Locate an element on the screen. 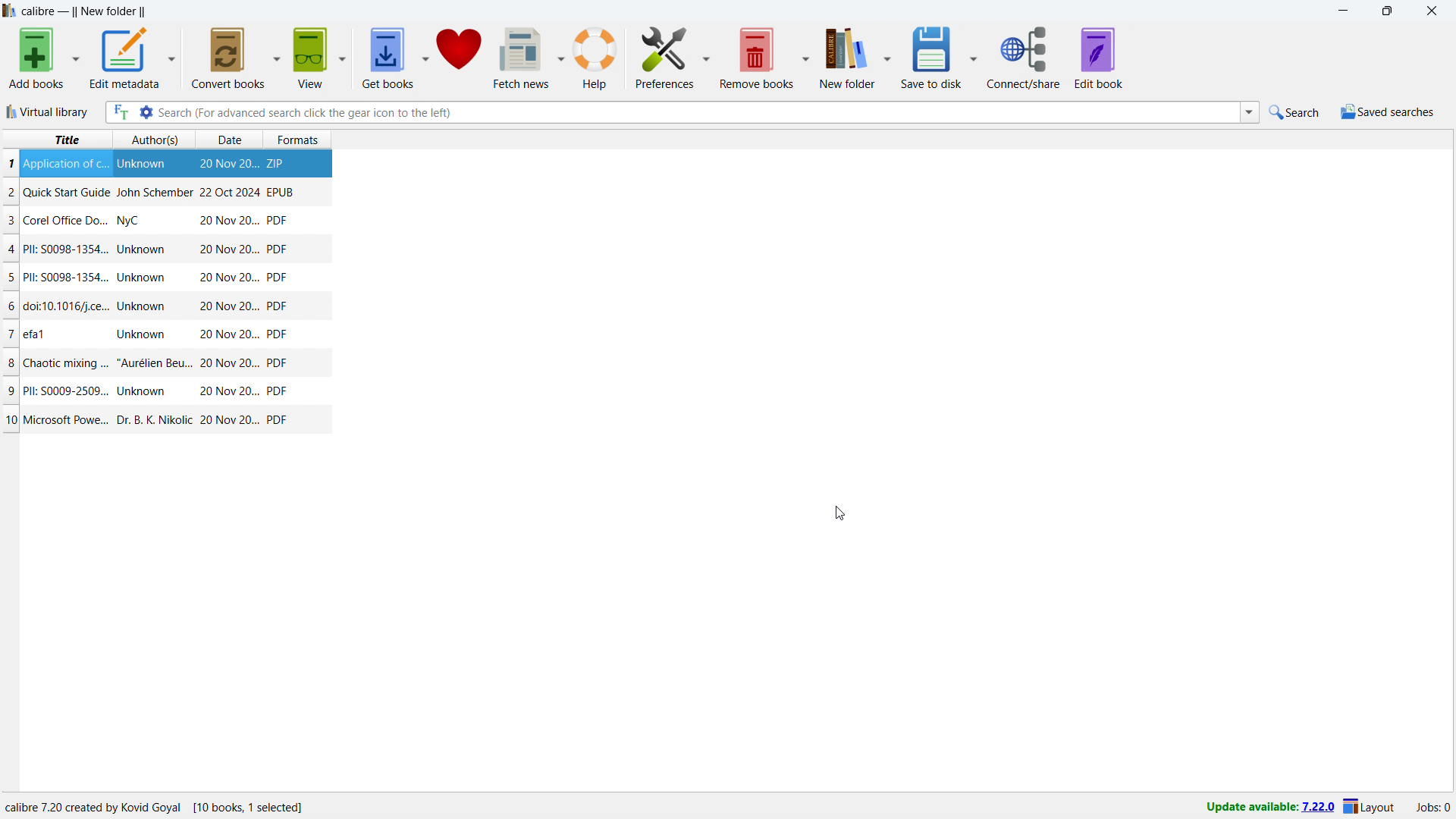  PDF is located at coordinates (277, 306).